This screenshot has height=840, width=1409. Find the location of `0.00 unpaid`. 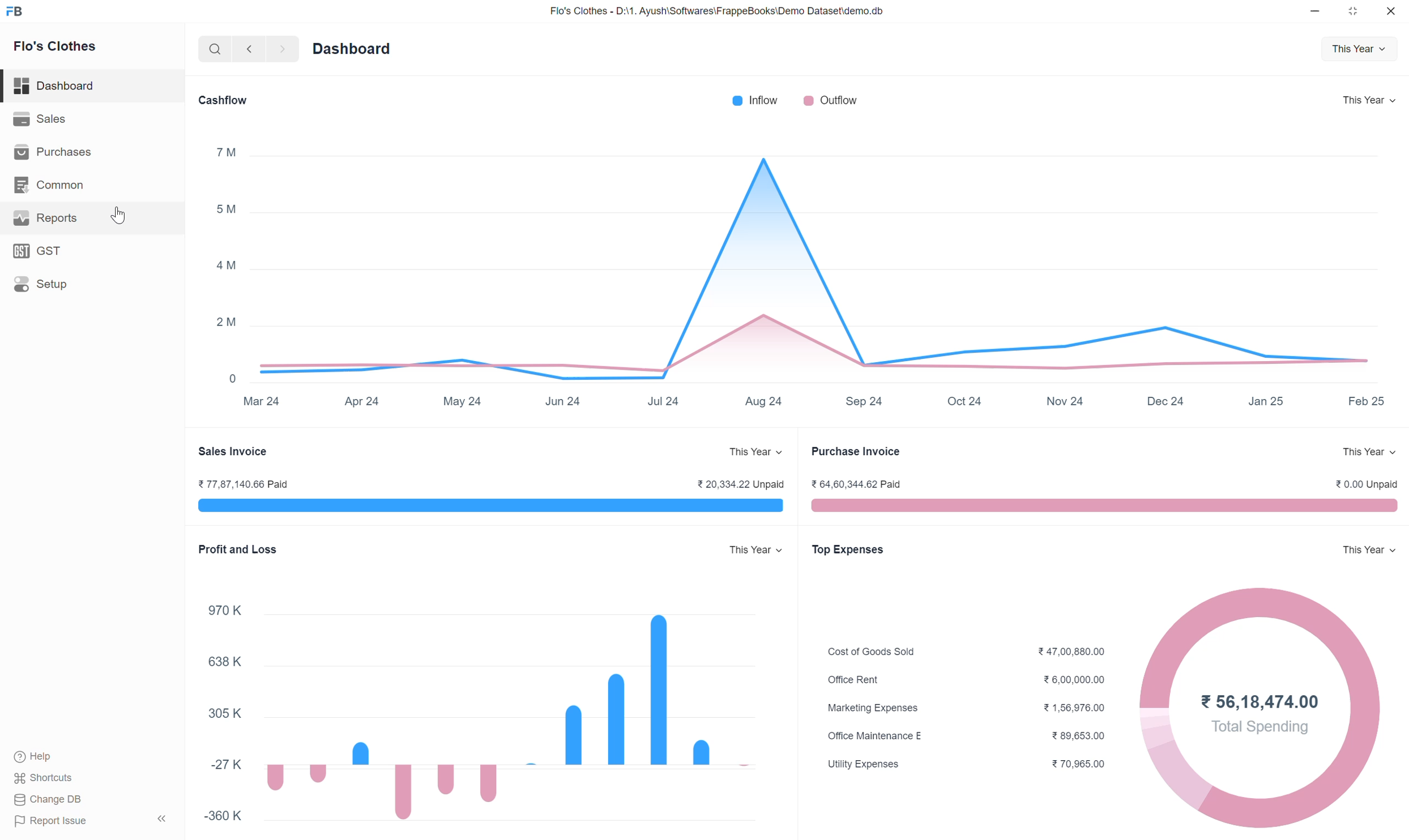

0.00 unpaid is located at coordinates (1366, 483).